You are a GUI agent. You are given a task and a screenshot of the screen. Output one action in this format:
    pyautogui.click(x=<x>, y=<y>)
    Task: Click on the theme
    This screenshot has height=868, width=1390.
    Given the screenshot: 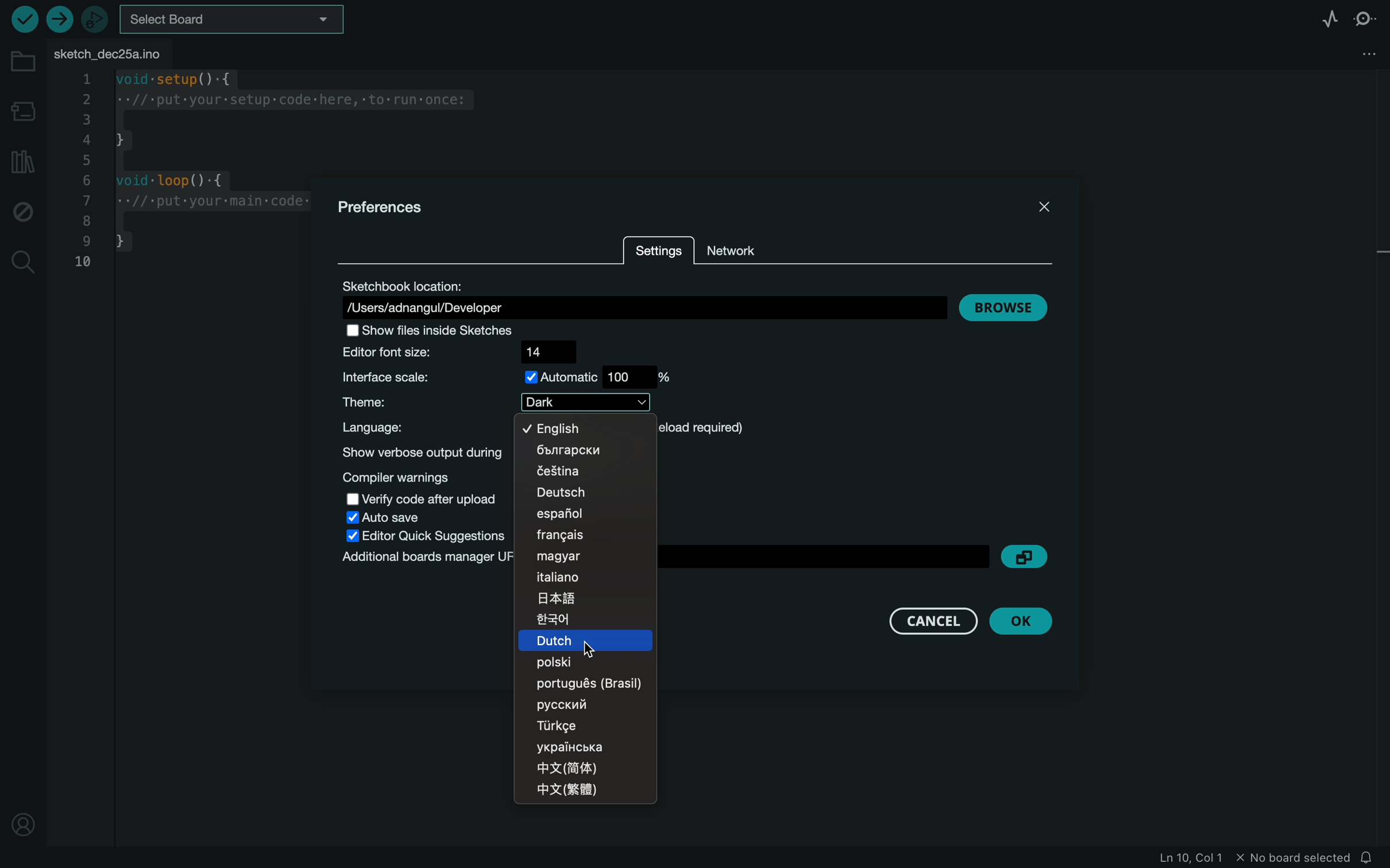 What is the action you would take?
    pyautogui.click(x=492, y=402)
    